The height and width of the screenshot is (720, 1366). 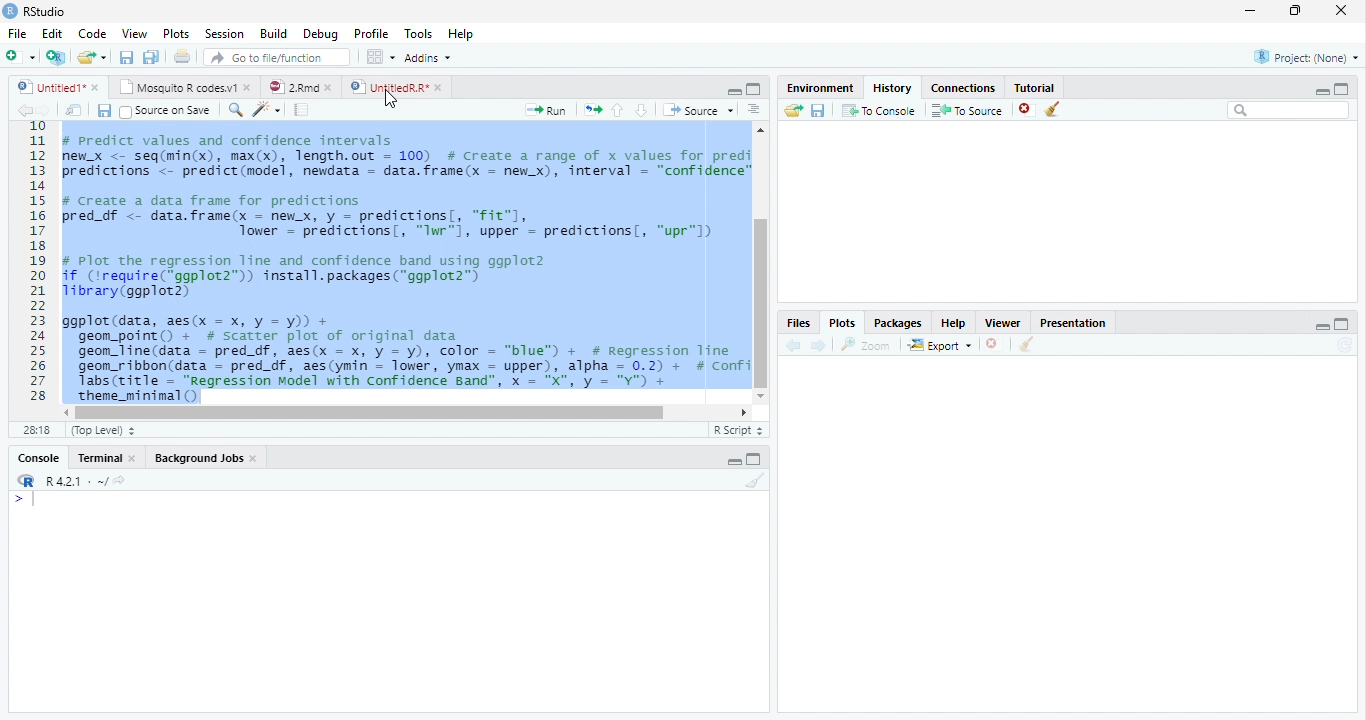 What do you see at coordinates (963, 88) in the screenshot?
I see `Connection` at bounding box center [963, 88].